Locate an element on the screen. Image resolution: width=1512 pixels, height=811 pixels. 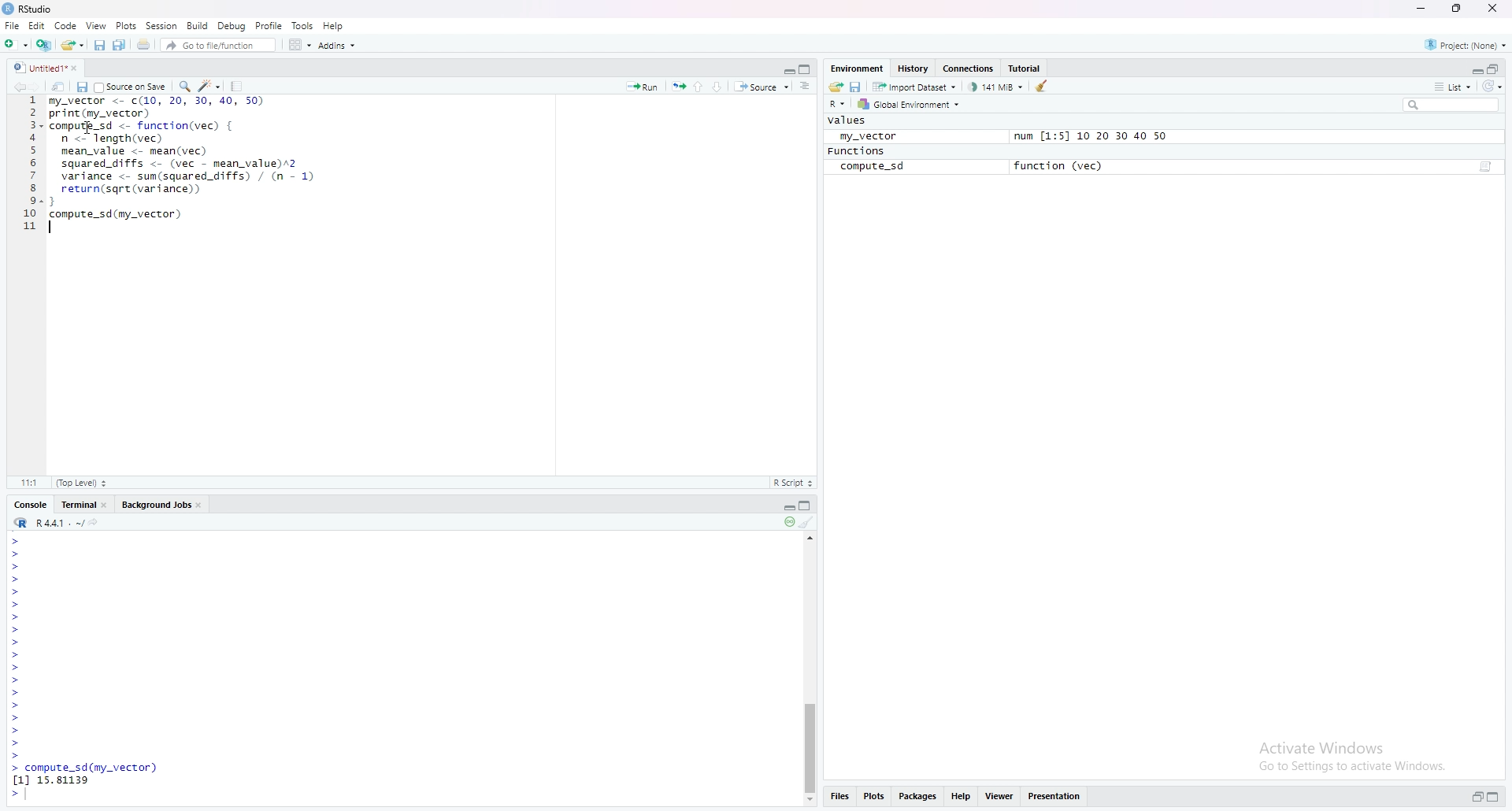
Re-run the previous code region (Ctrl + Alt + P) is located at coordinates (677, 87).